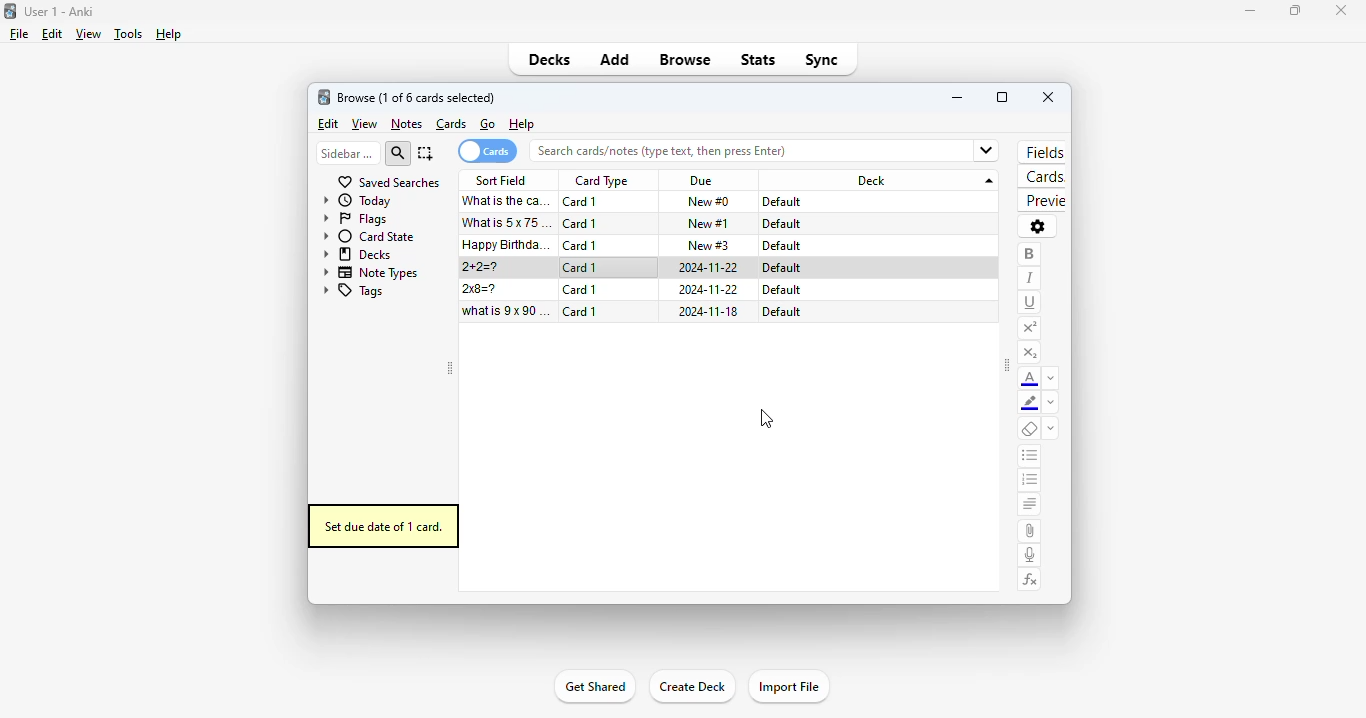 This screenshot has width=1366, height=718. What do you see at coordinates (417, 97) in the screenshot?
I see `browse (1 of 6 cards selected)` at bounding box center [417, 97].